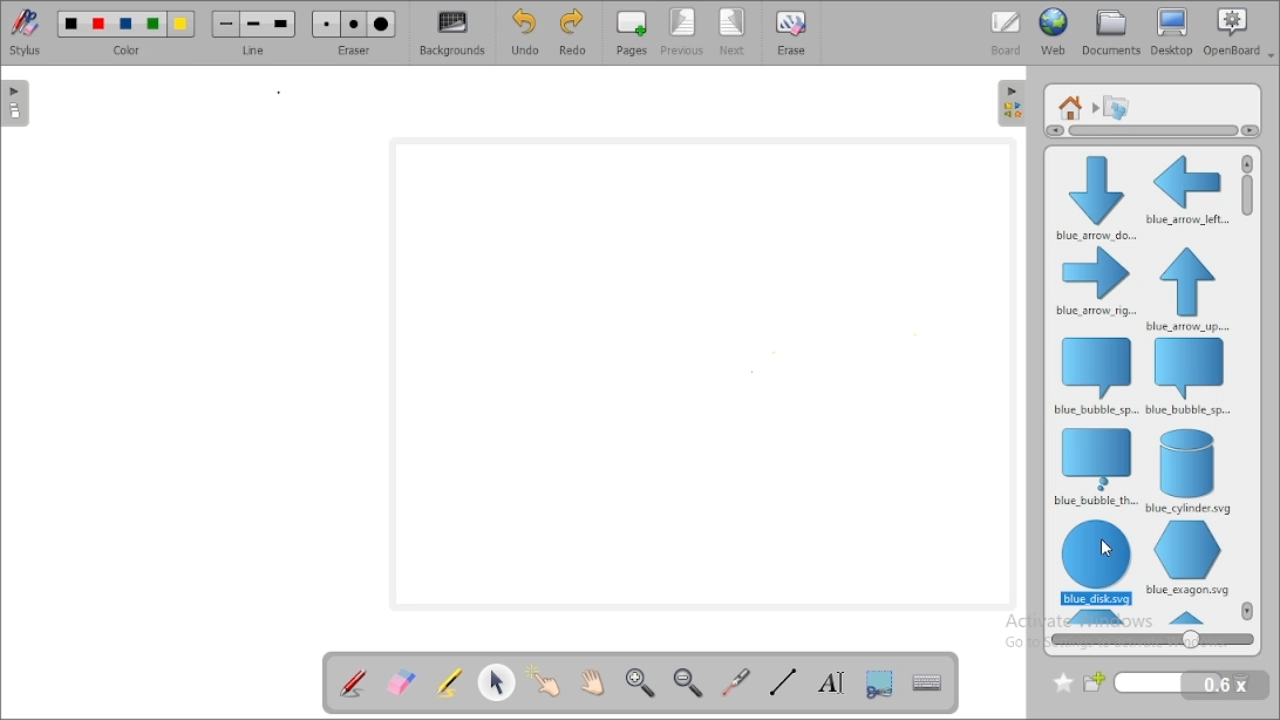  Describe the element at coordinates (1093, 196) in the screenshot. I see `blue arrow down` at that location.